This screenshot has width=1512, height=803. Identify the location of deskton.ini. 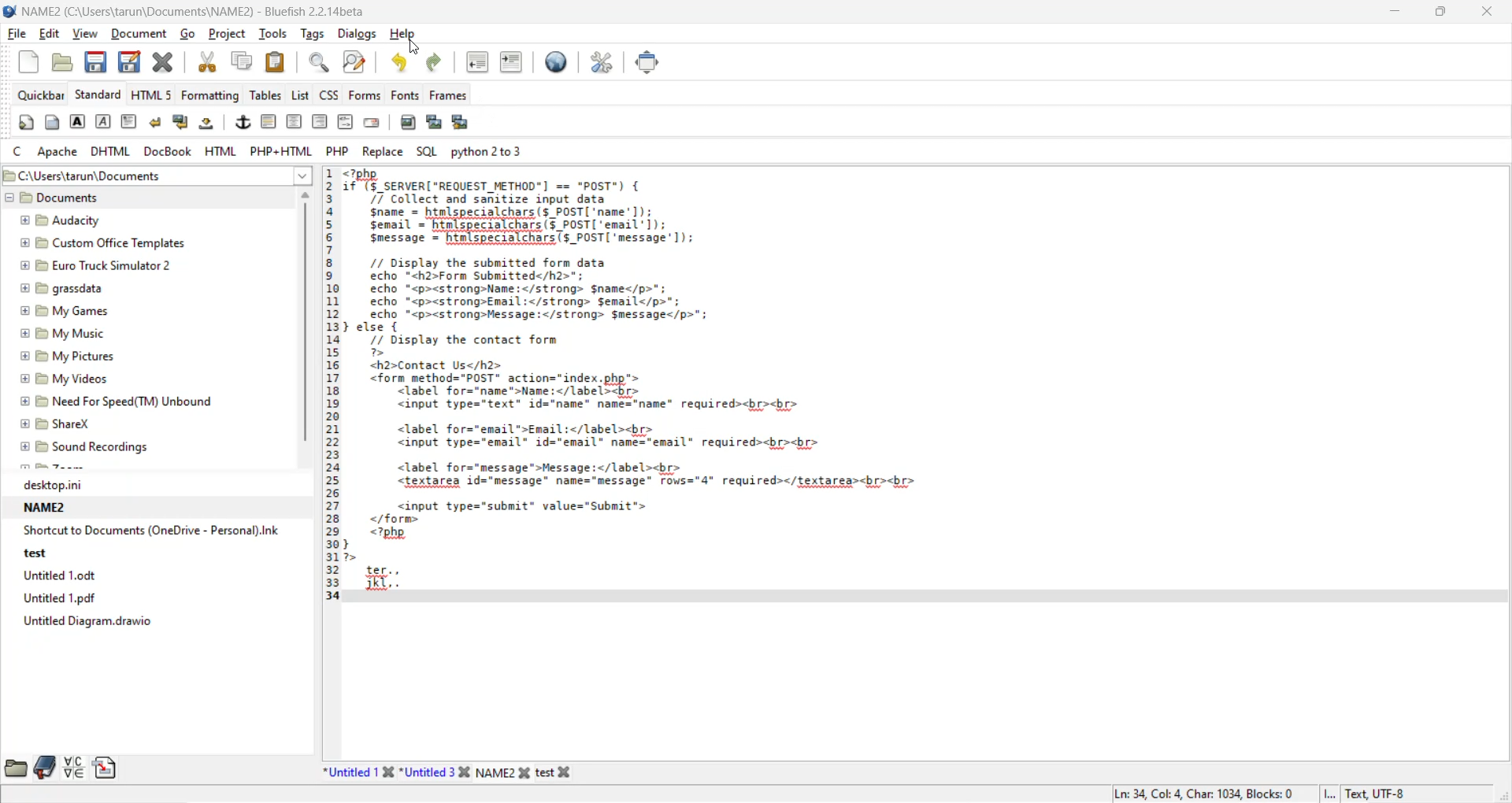
(42, 482).